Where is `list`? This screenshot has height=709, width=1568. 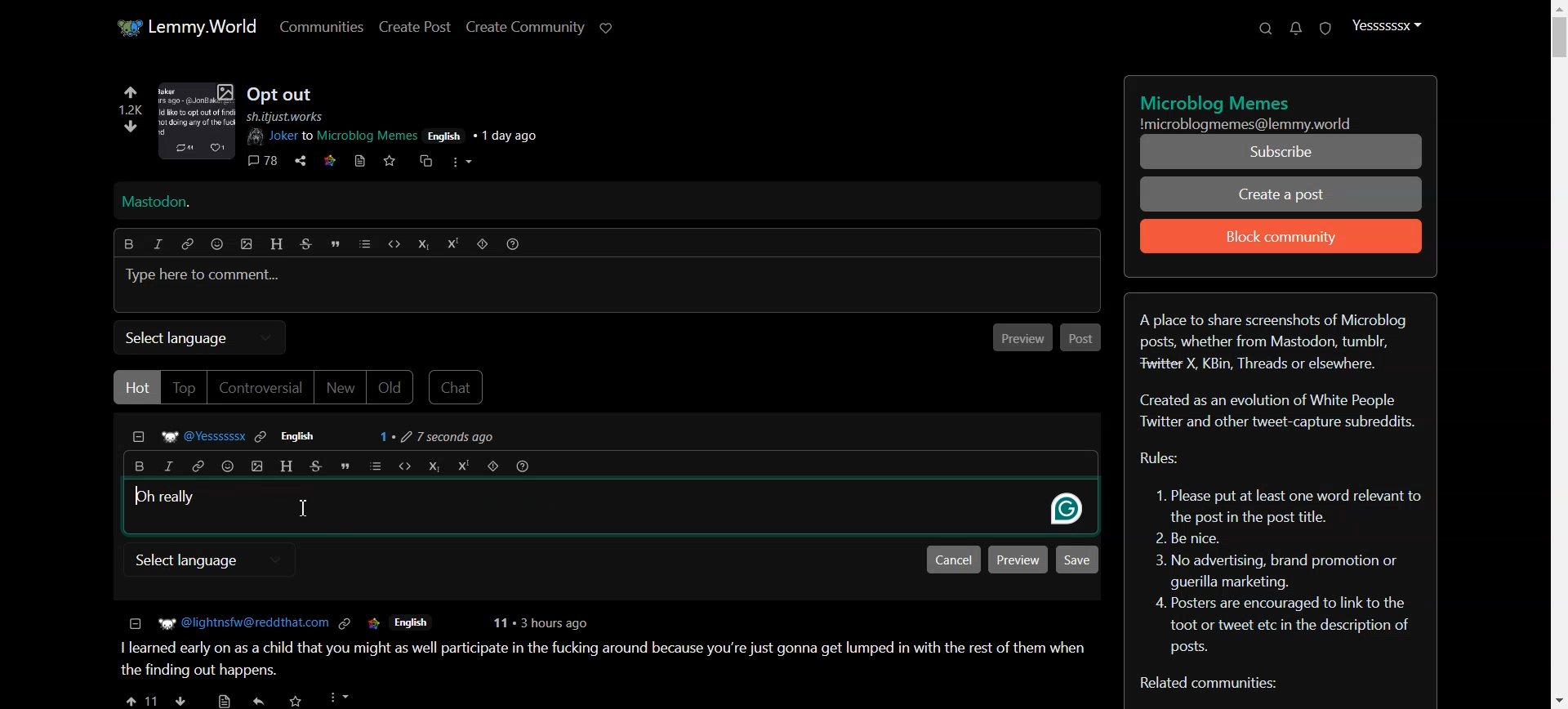
list is located at coordinates (372, 466).